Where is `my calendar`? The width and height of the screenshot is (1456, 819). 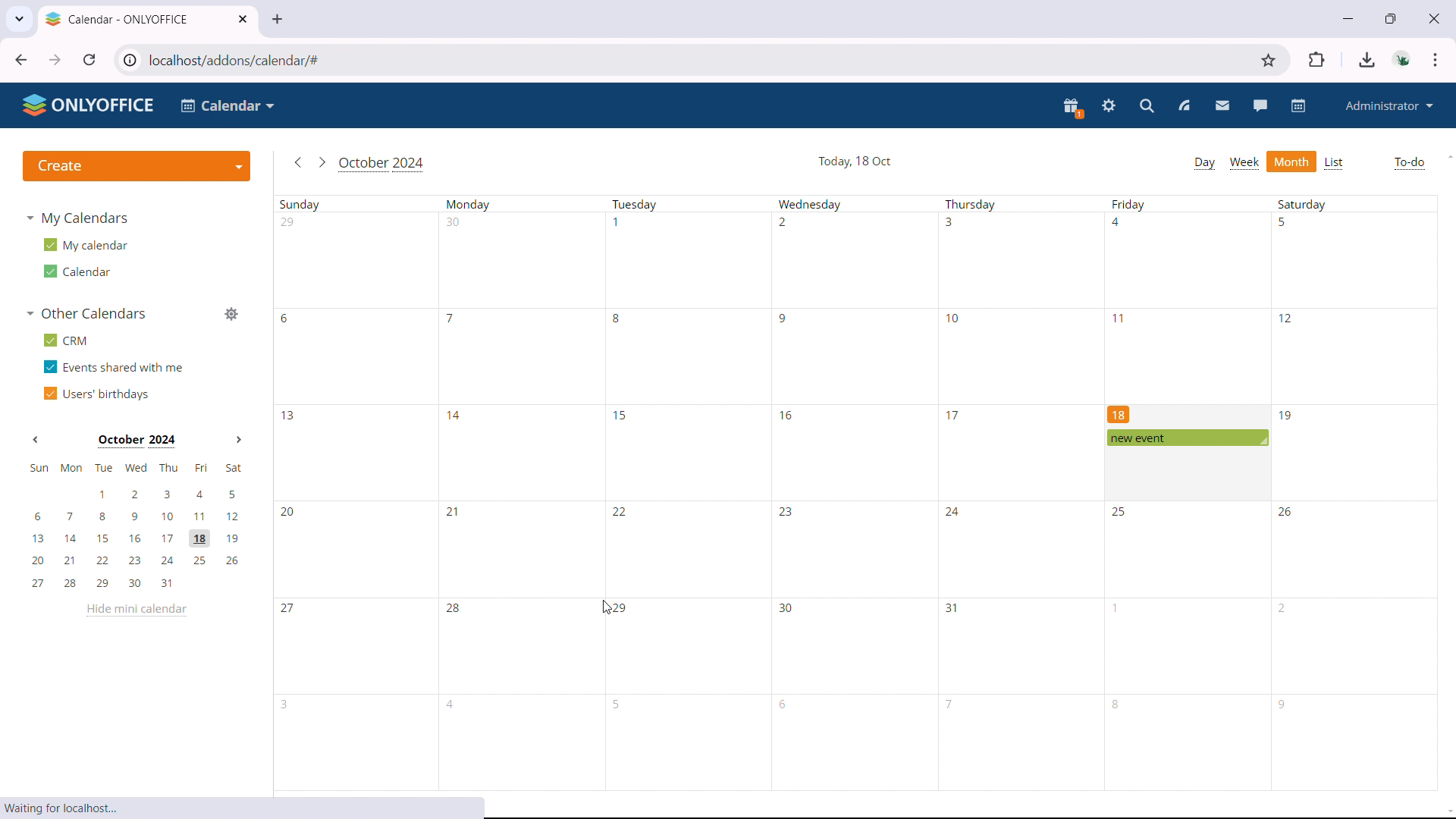
my calendar is located at coordinates (84, 245).